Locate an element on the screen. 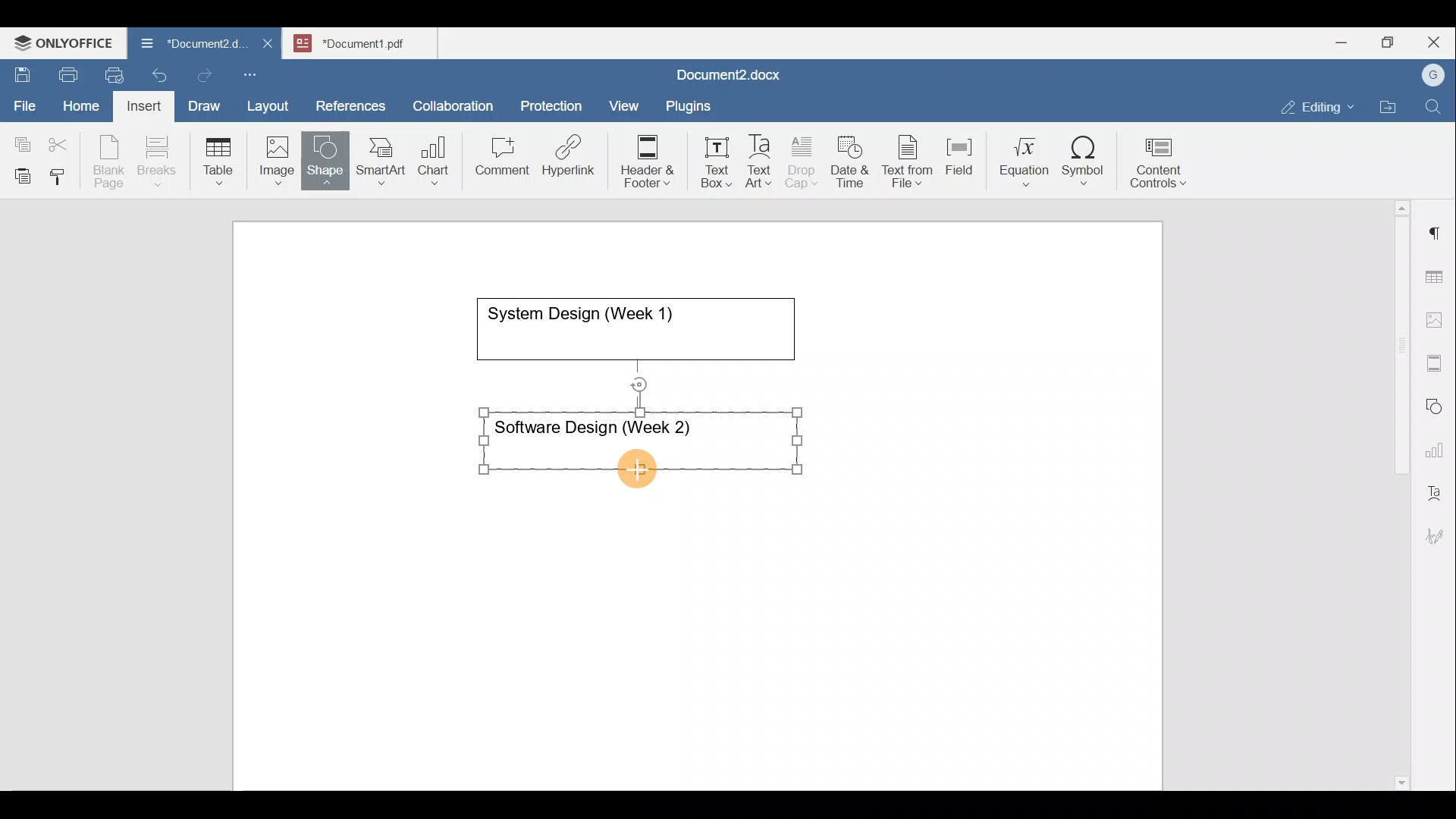 The height and width of the screenshot is (819, 1456). Content controls is located at coordinates (1161, 168).